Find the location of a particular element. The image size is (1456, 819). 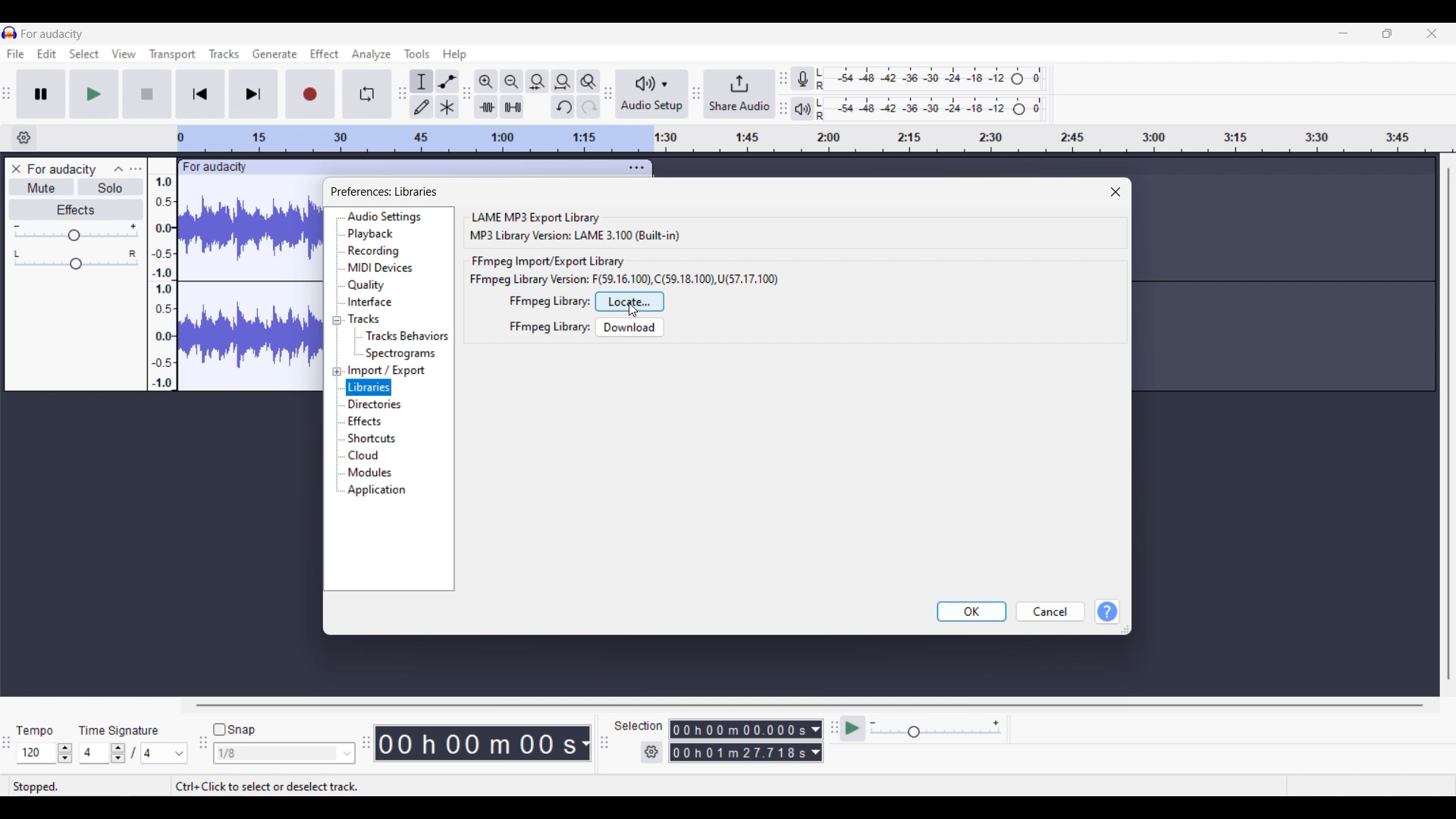

timestamp is located at coordinates (482, 743).